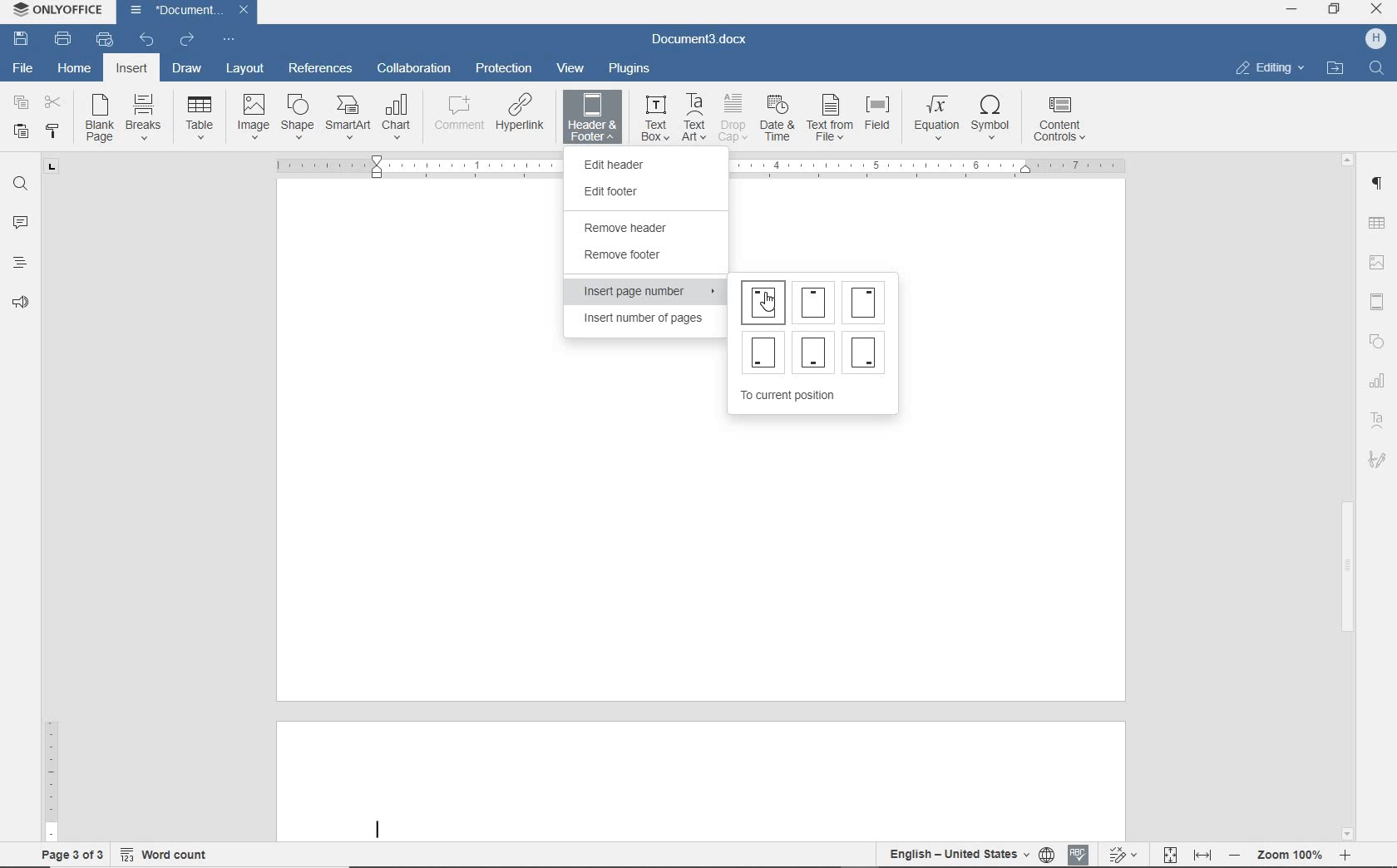 The width and height of the screenshot is (1397, 868). What do you see at coordinates (867, 301) in the screenshot?
I see `Page number at top right` at bounding box center [867, 301].